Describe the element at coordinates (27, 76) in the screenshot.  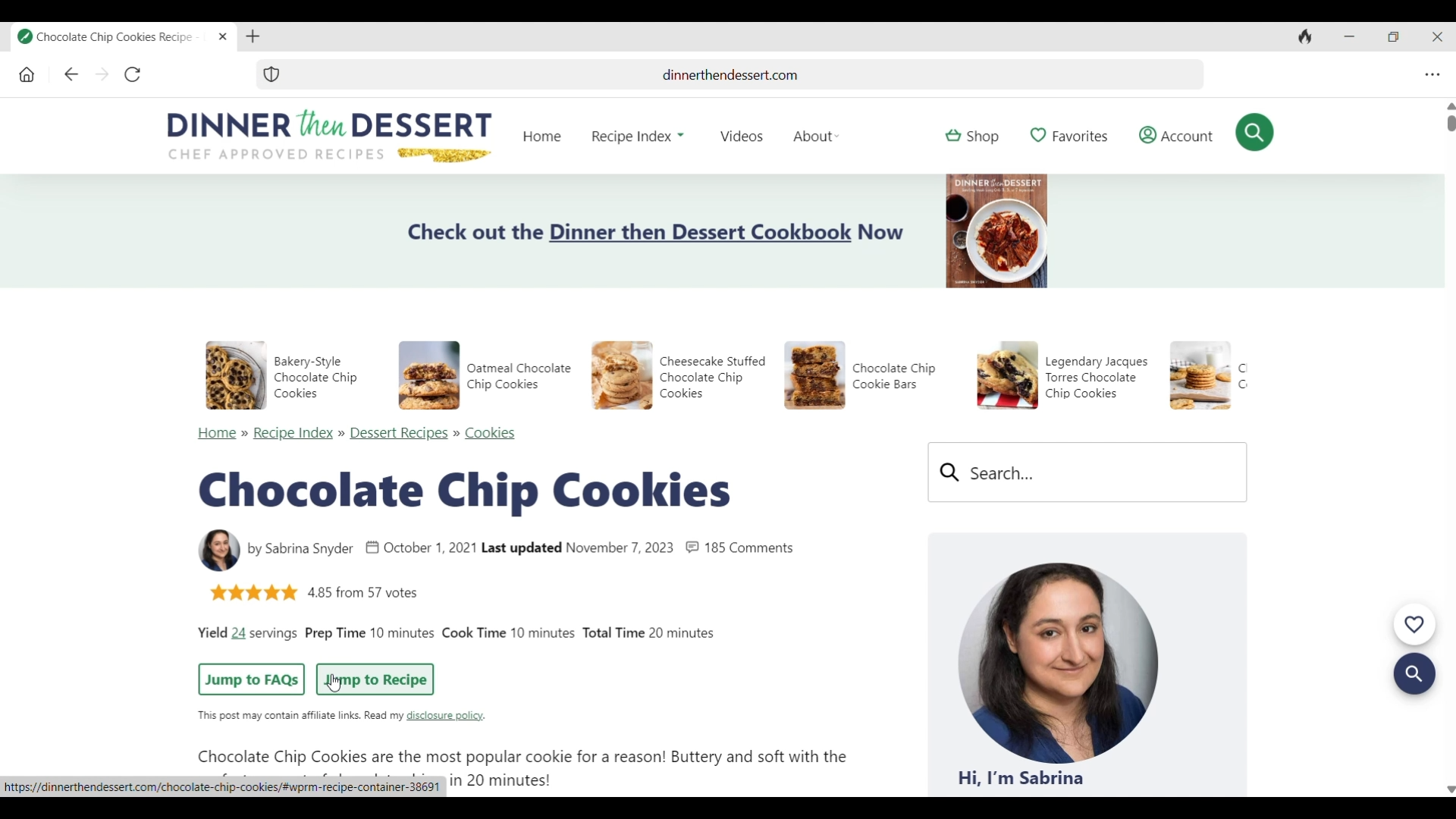
I see `Home` at that location.